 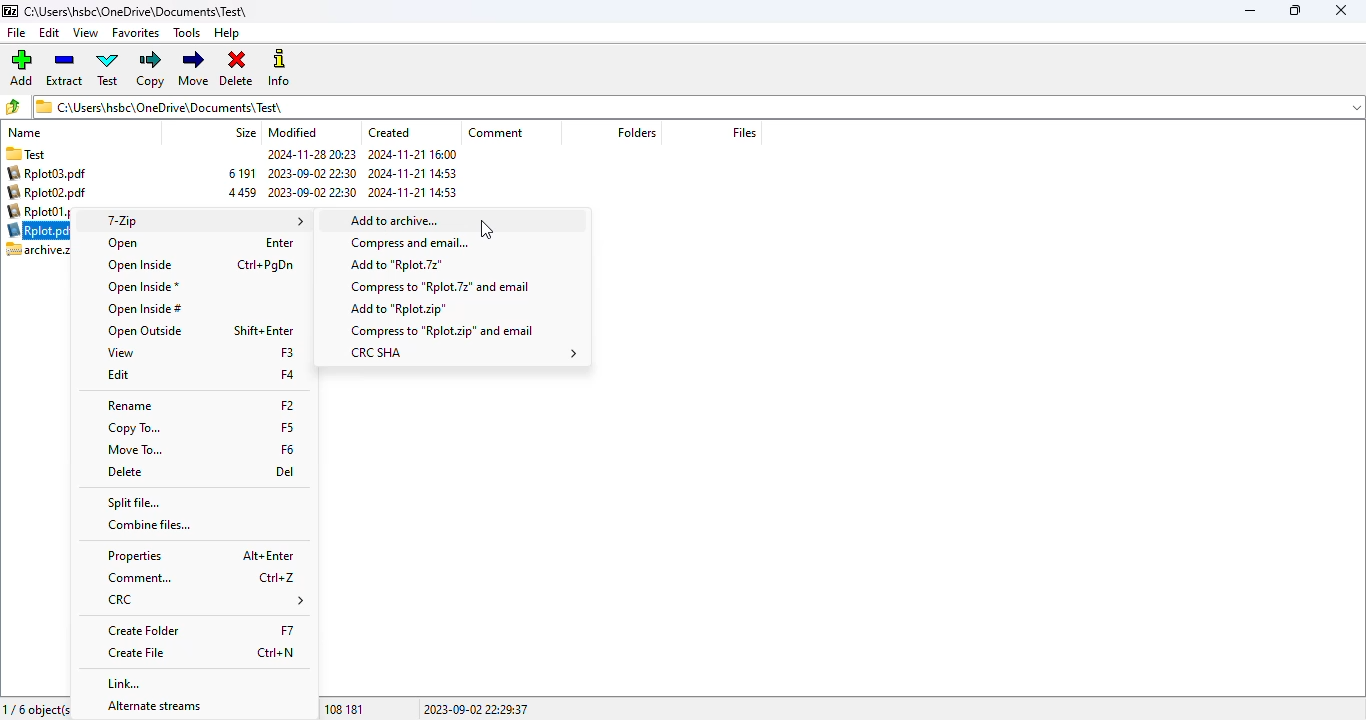 What do you see at coordinates (244, 132) in the screenshot?
I see `size` at bounding box center [244, 132].